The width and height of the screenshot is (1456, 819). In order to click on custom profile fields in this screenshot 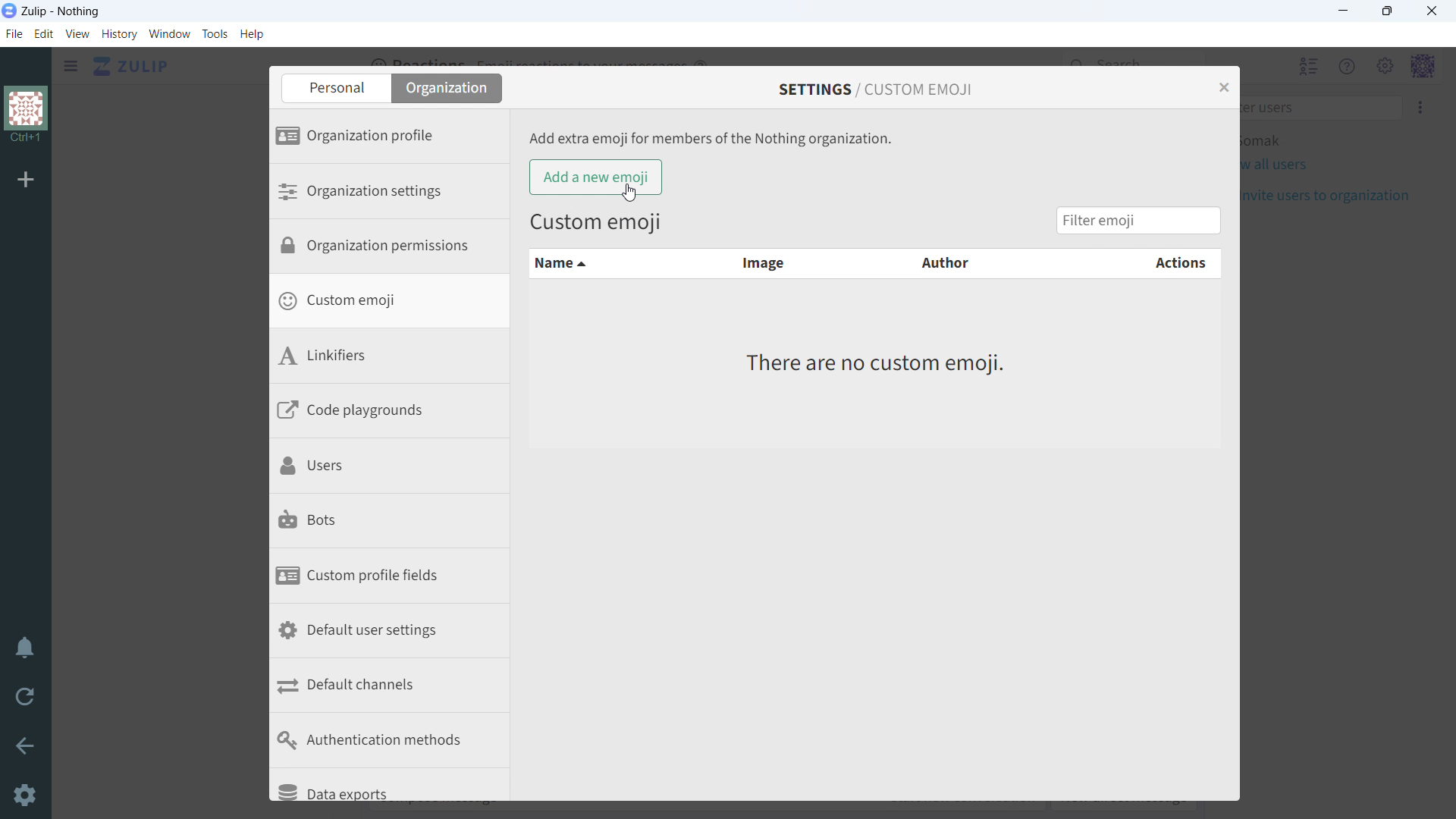, I will do `click(388, 577)`.